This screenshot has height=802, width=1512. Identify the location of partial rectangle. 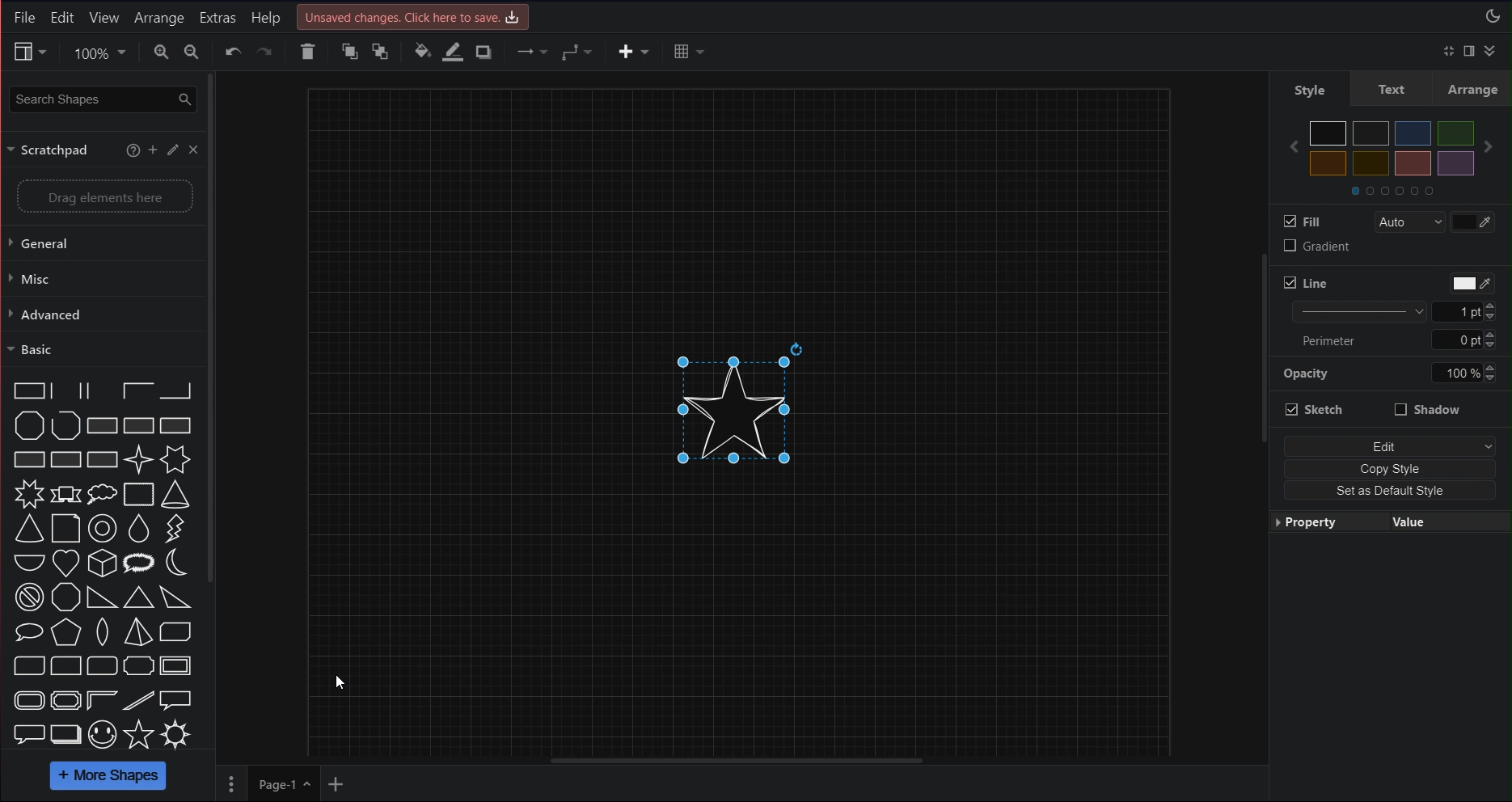
(66, 390).